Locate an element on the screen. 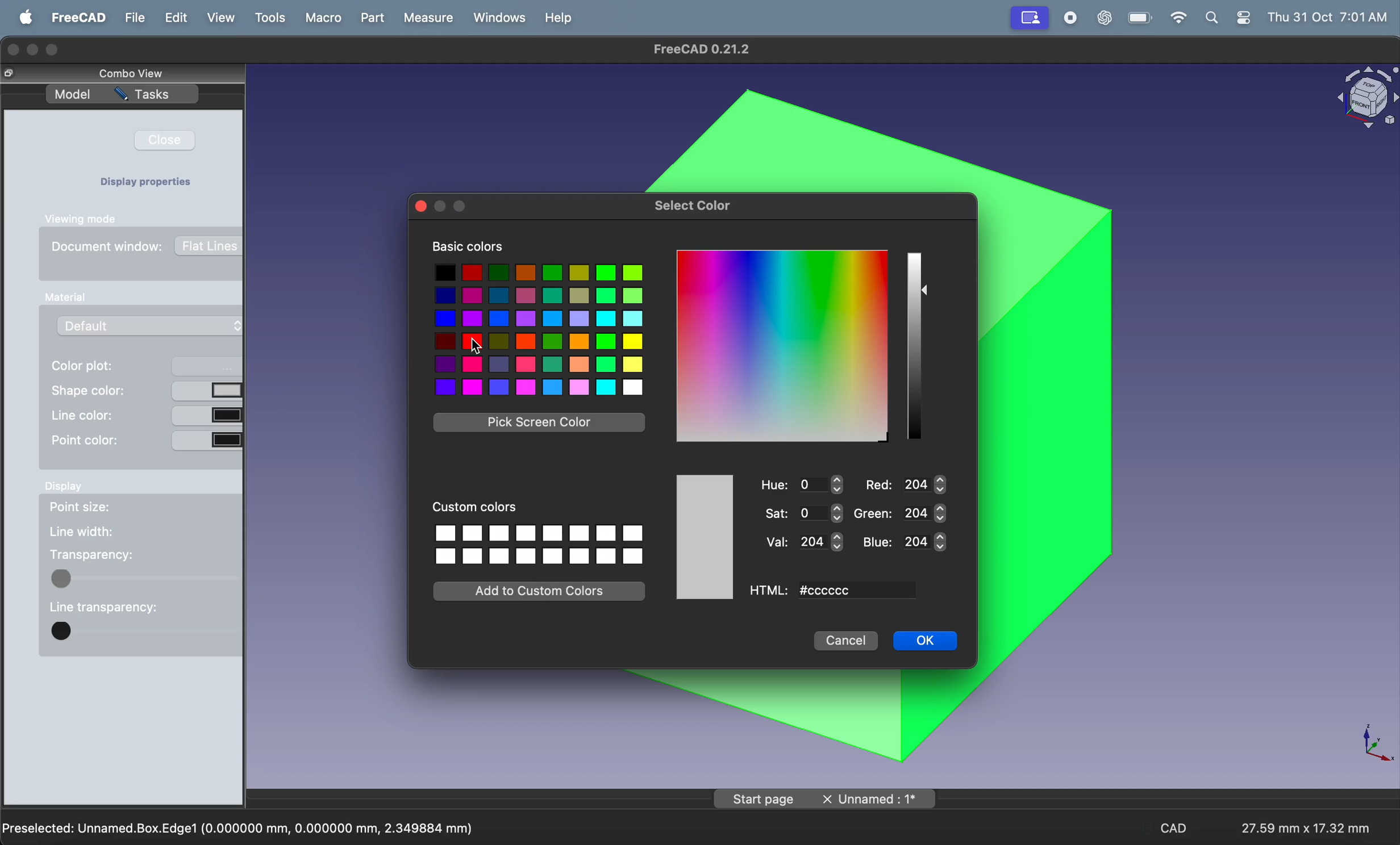 Image resolution: width=1400 pixels, height=845 pixels. preselected unamed is located at coordinates (240, 826).